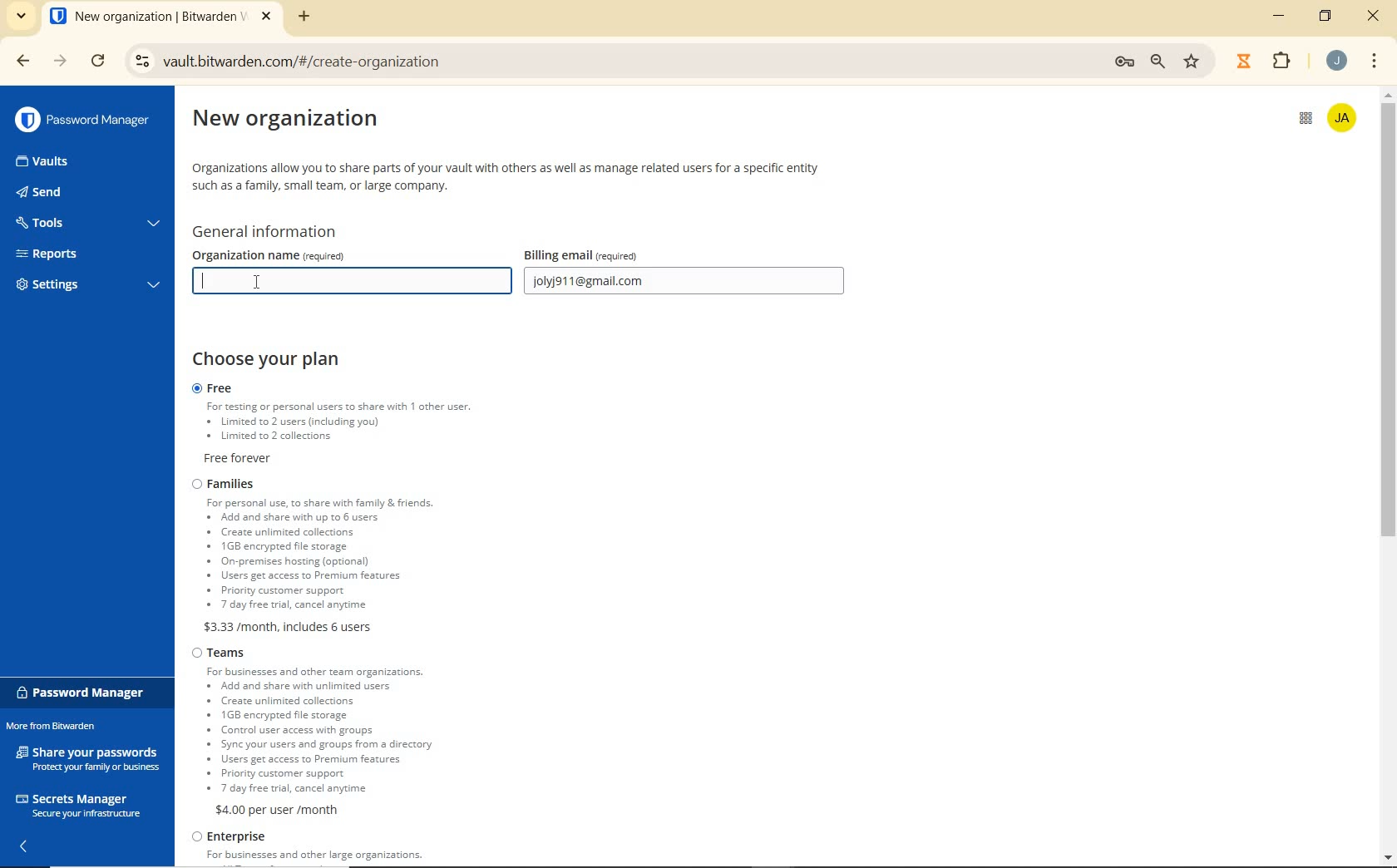 The width and height of the screenshot is (1397, 868). Describe the element at coordinates (687, 283) in the screenshot. I see `jolyjo11@gmail.com` at that location.